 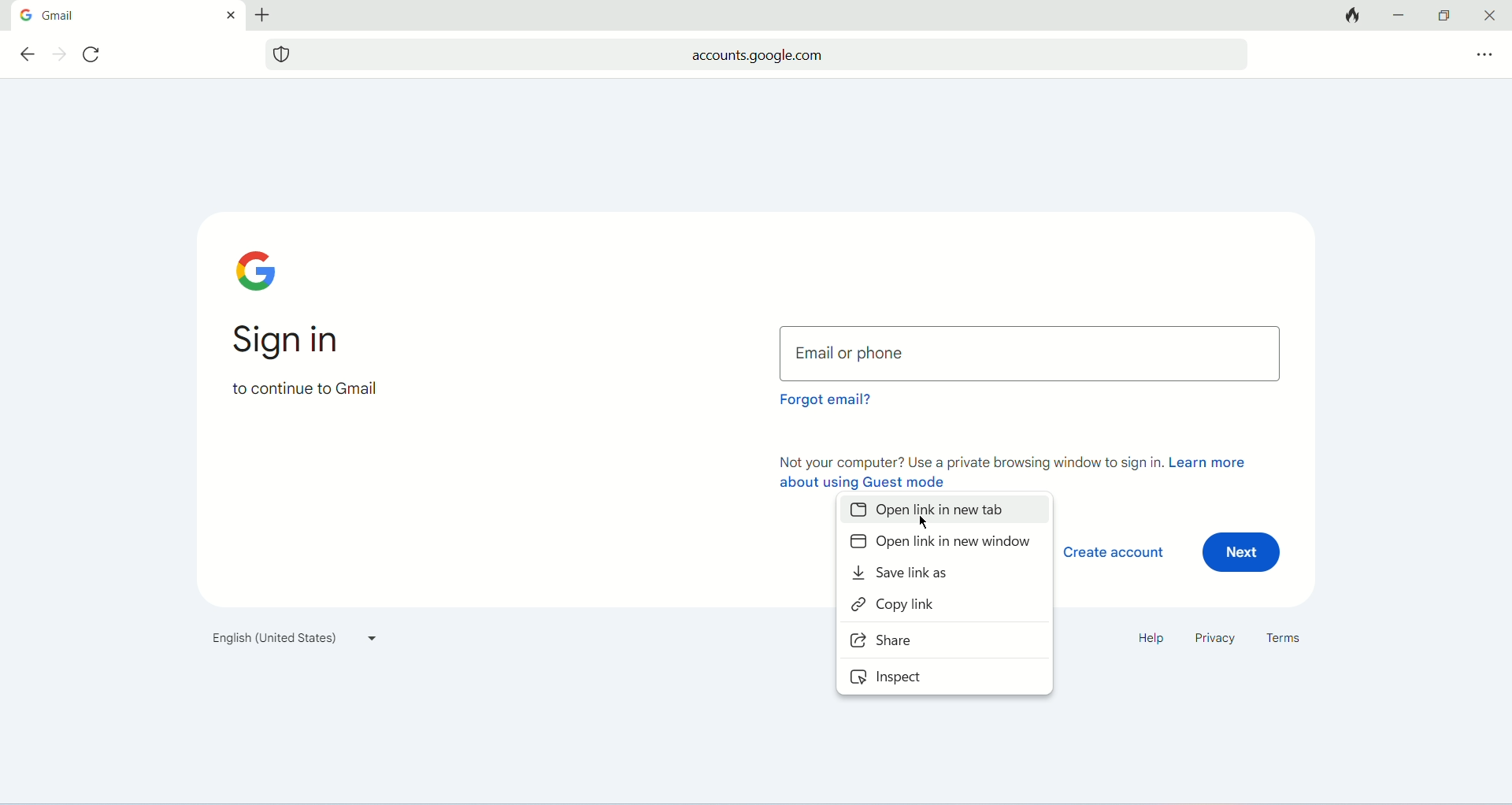 What do you see at coordinates (1213, 640) in the screenshot?
I see `privacy` at bounding box center [1213, 640].